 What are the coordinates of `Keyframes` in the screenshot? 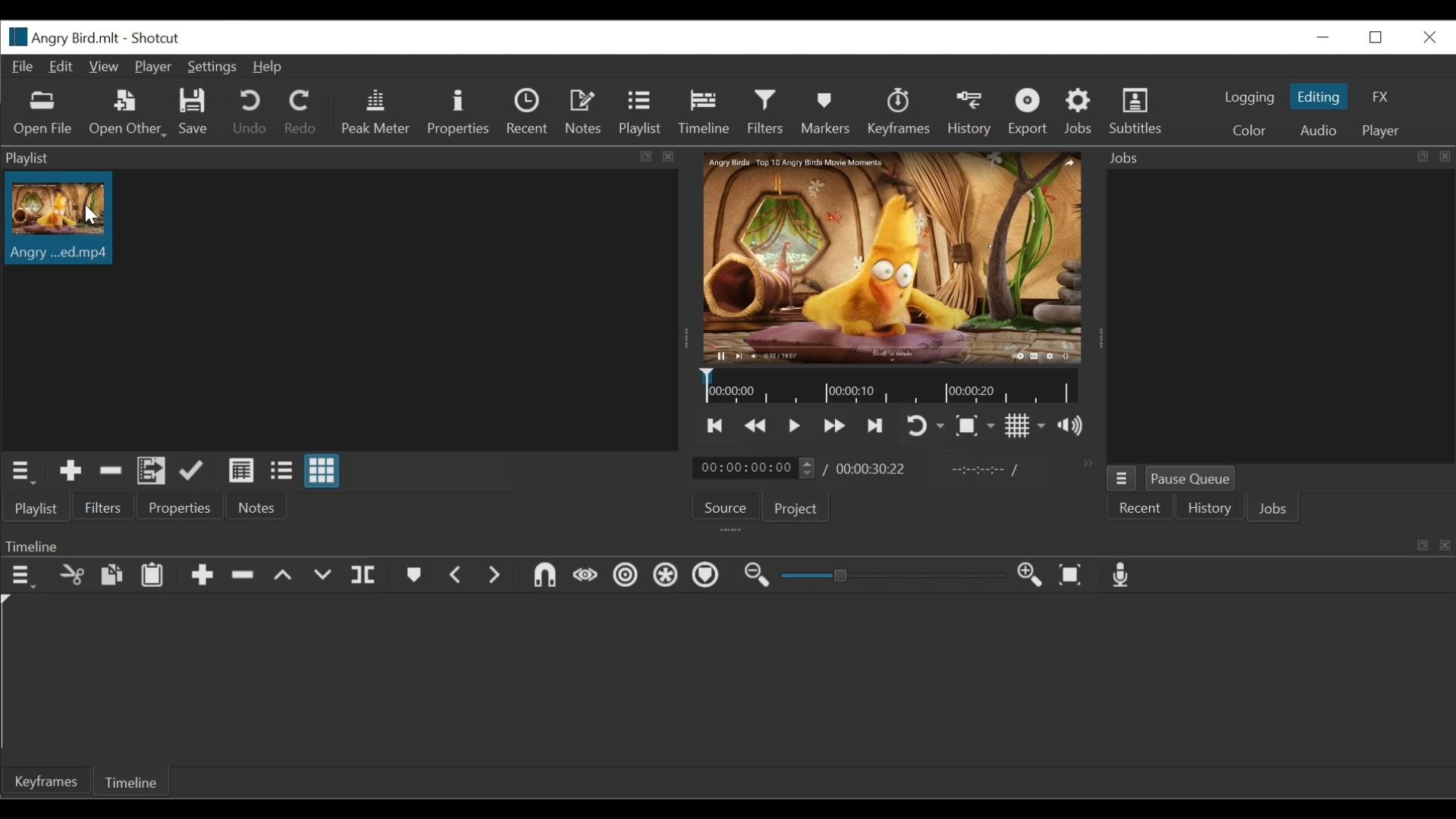 It's located at (899, 111).